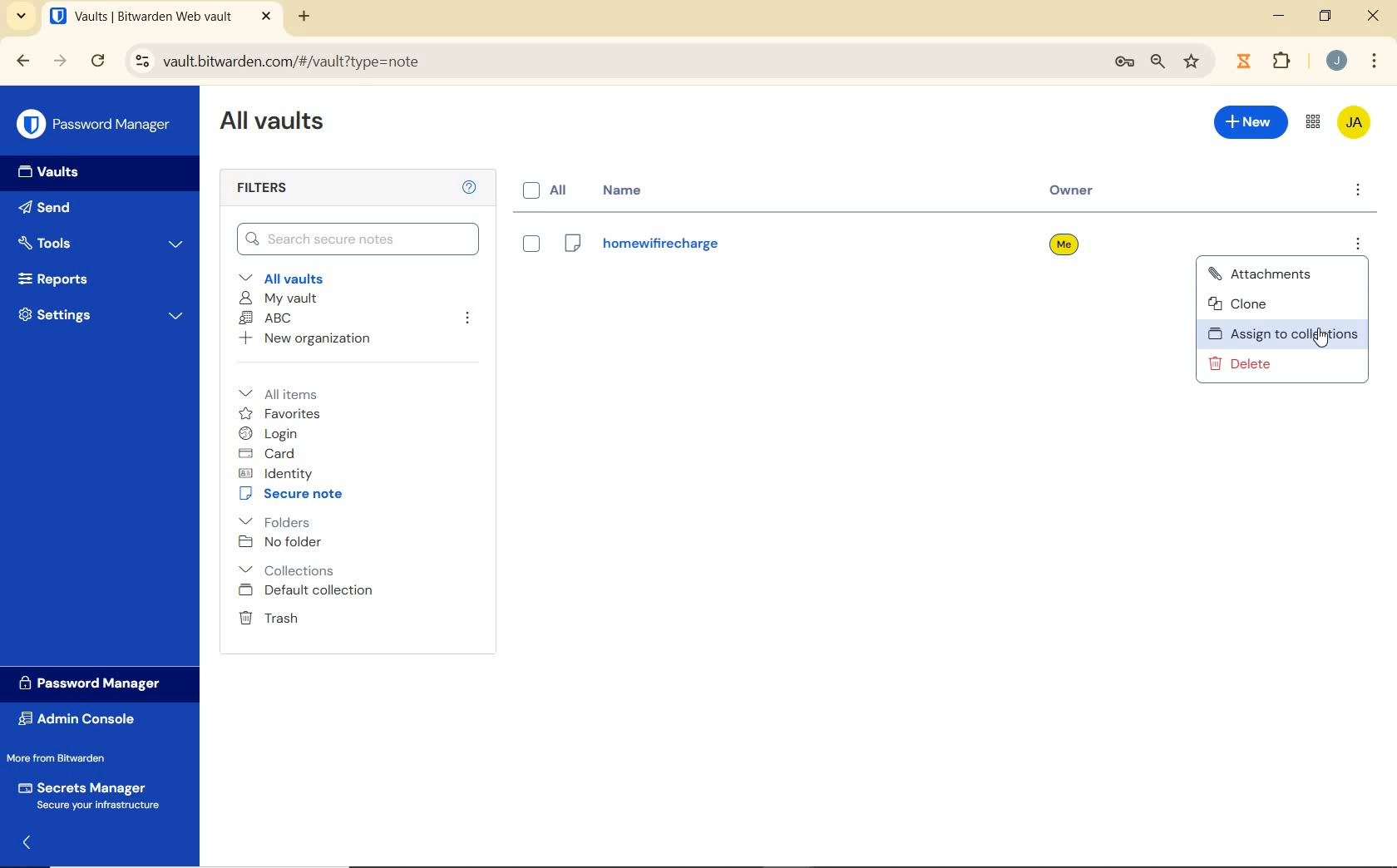 This screenshot has height=868, width=1397. I want to click on Password Manager, so click(95, 125).